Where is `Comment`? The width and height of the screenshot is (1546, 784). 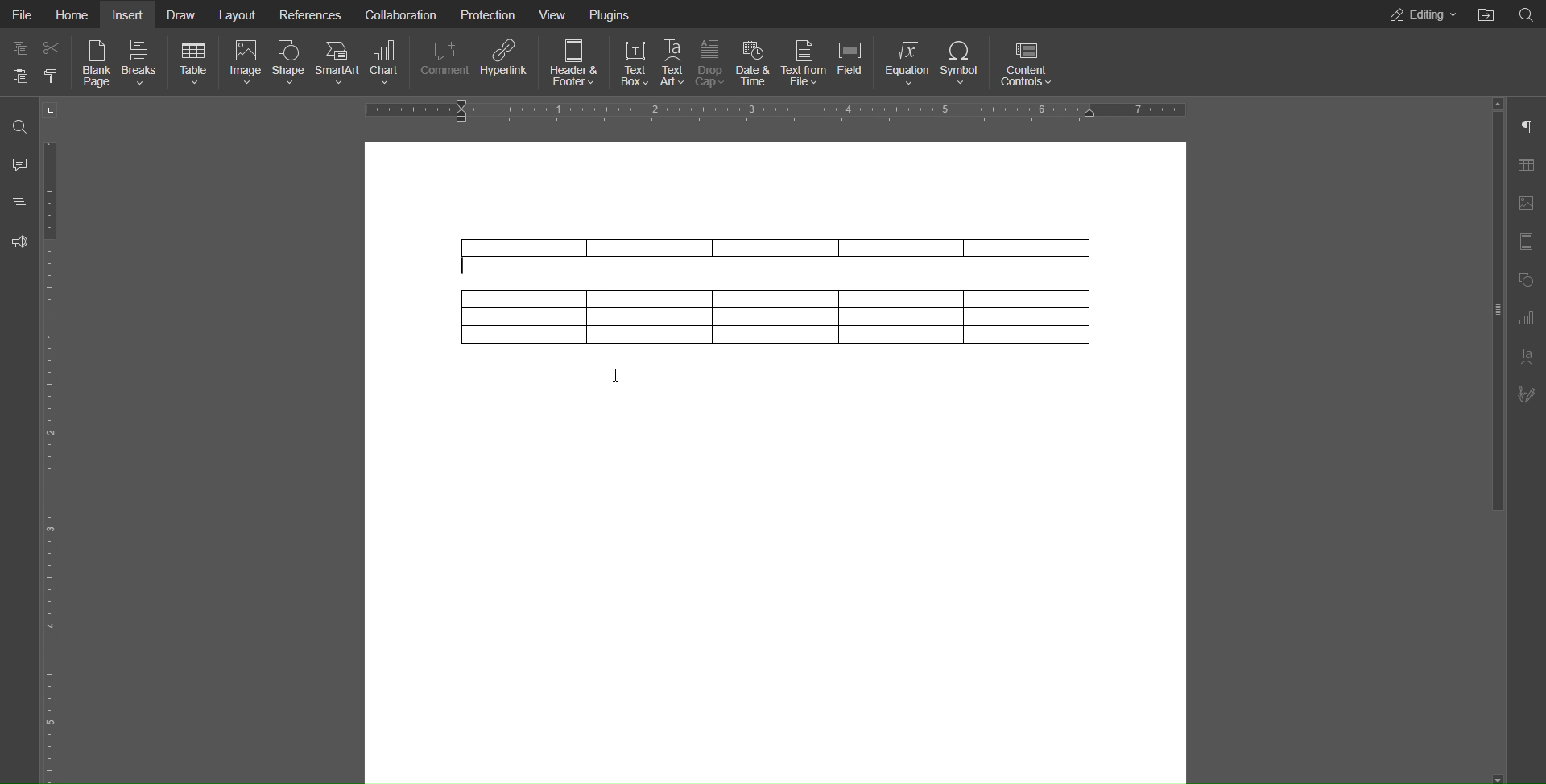 Comment is located at coordinates (443, 64).